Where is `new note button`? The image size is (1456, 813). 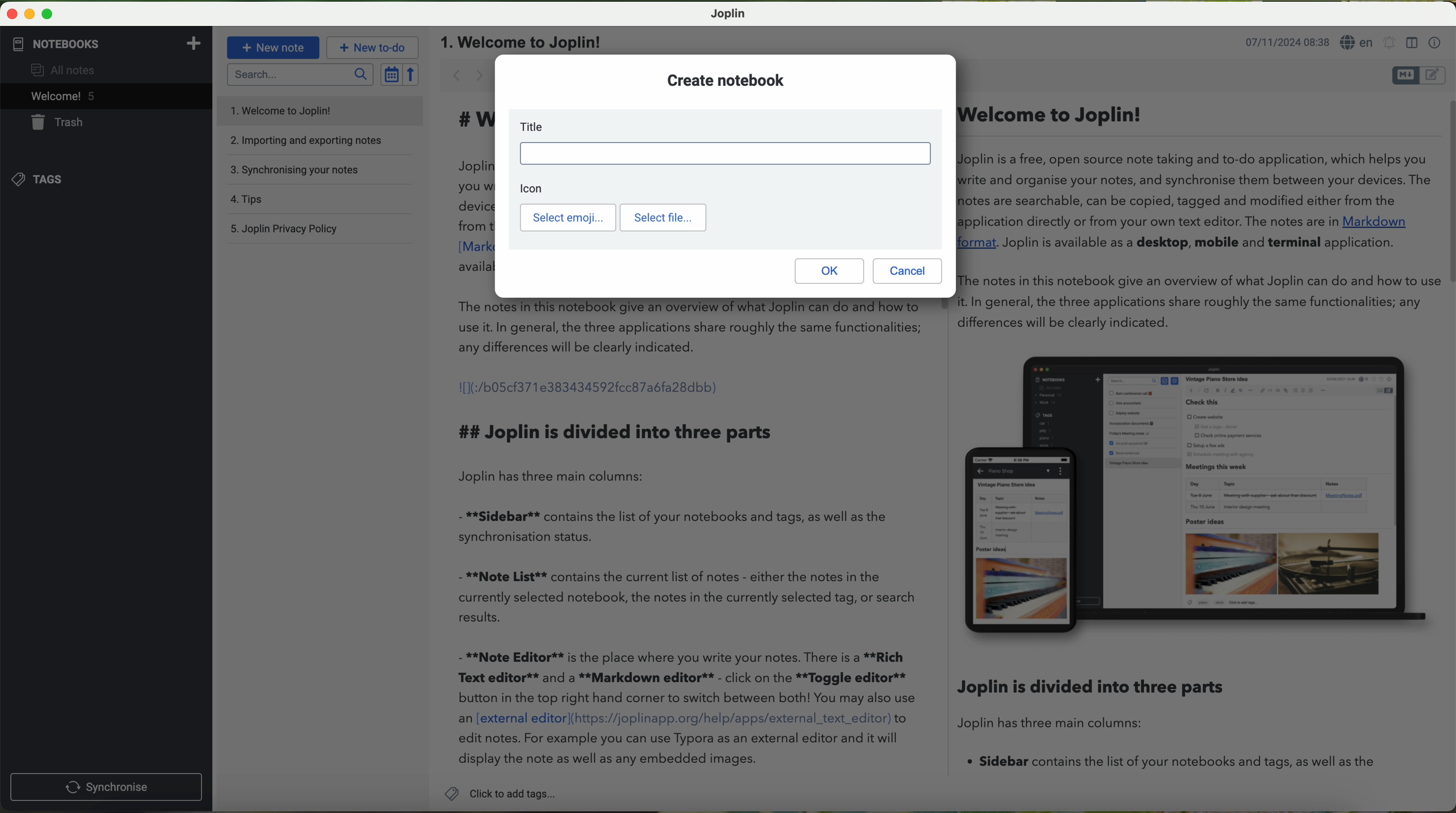 new note button is located at coordinates (273, 47).